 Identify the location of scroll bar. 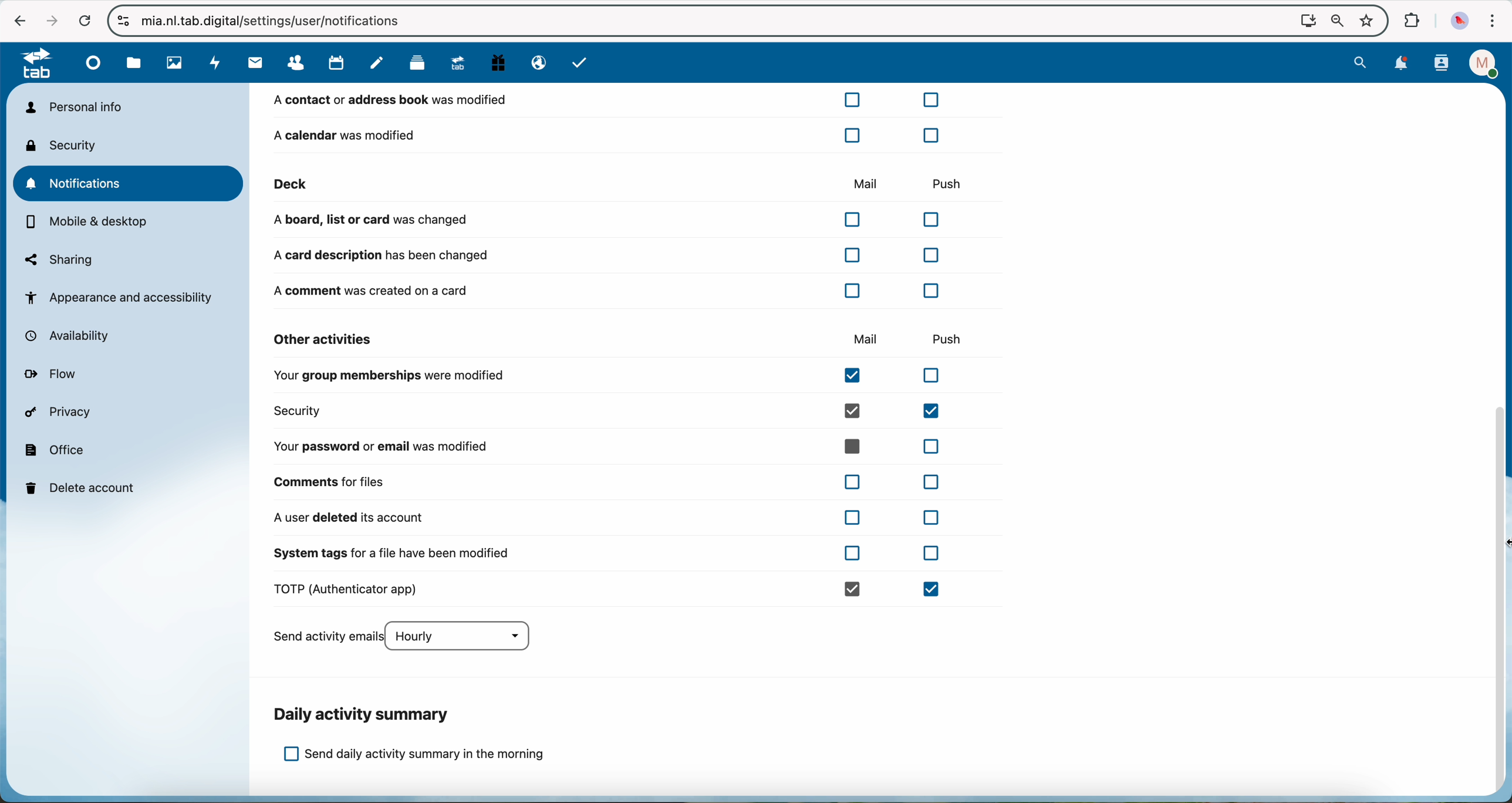
(1501, 602).